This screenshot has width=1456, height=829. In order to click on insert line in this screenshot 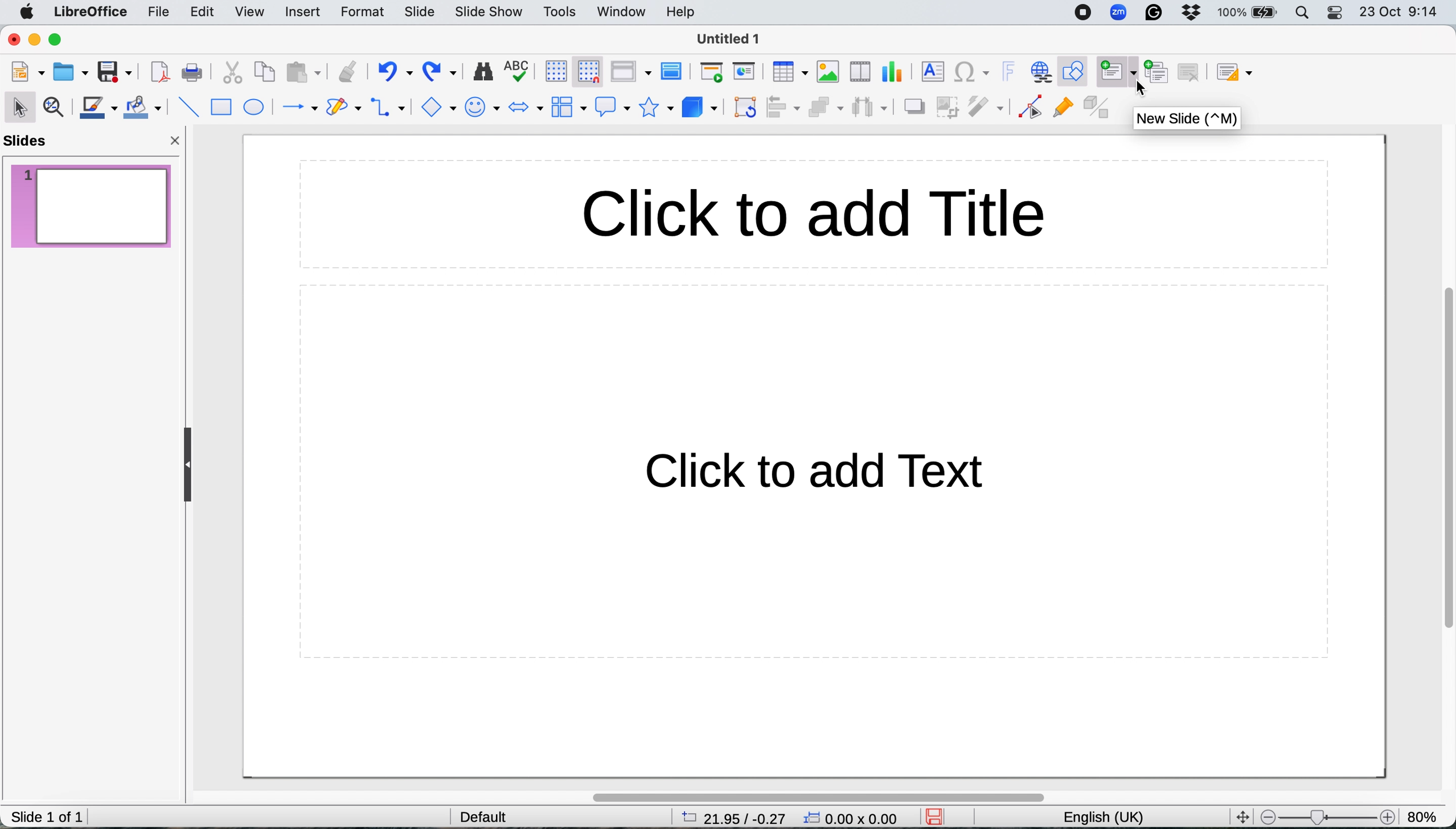, I will do `click(186, 106)`.